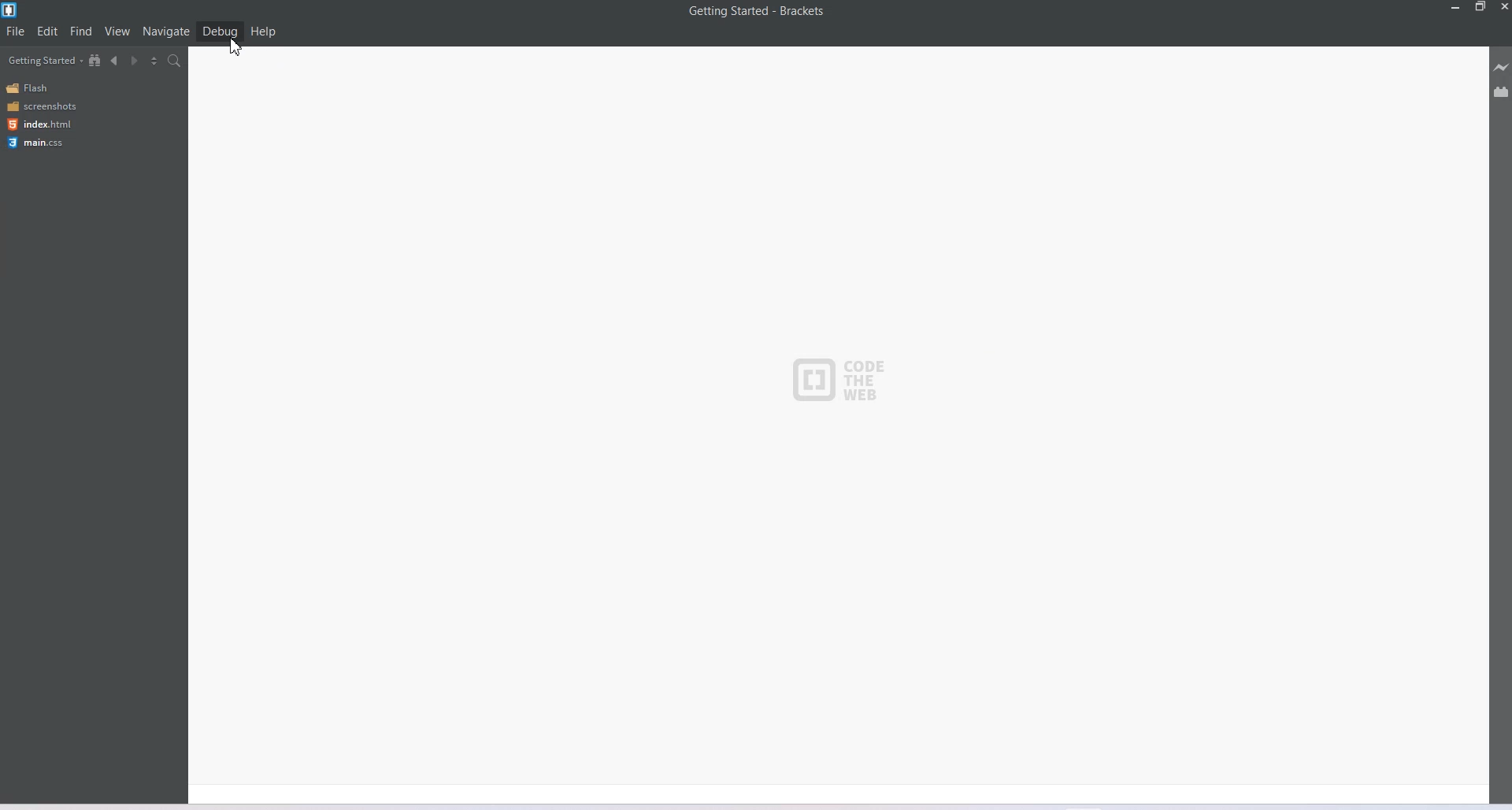 The height and width of the screenshot is (810, 1512). I want to click on Show file in Tree, so click(95, 59).